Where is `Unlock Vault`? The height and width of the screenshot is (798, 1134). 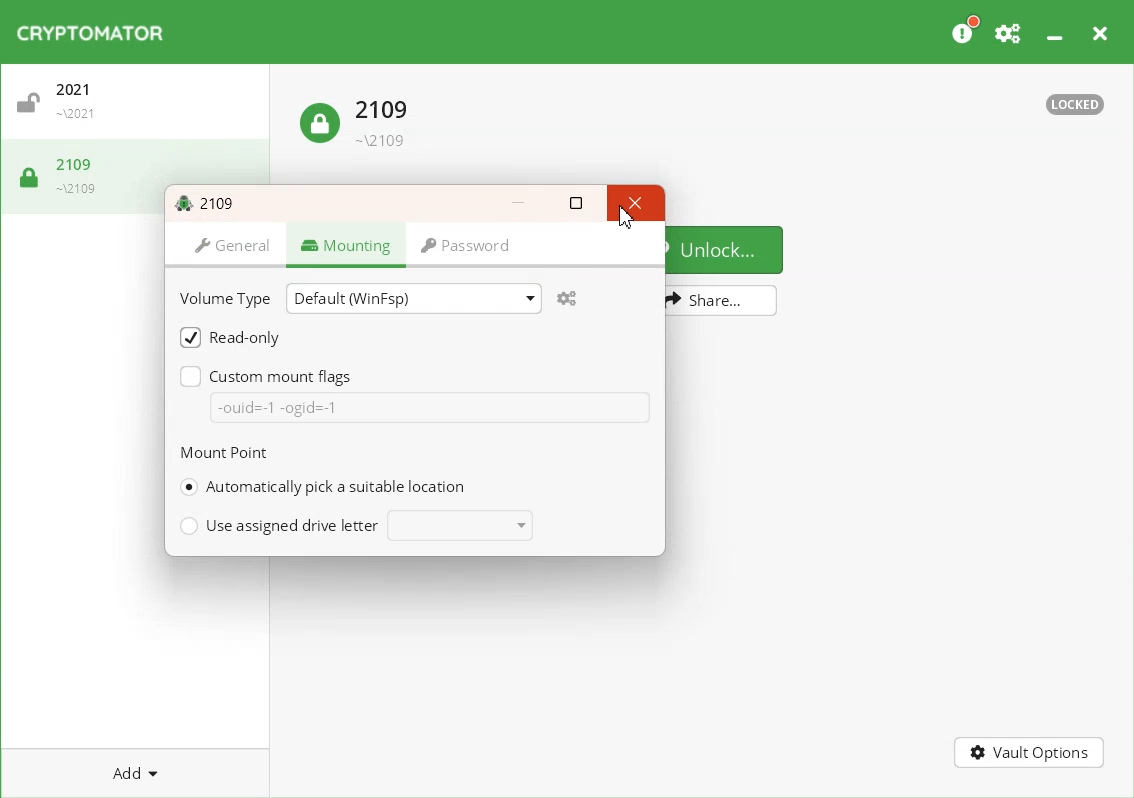
Unlock Vault is located at coordinates (140, 106).